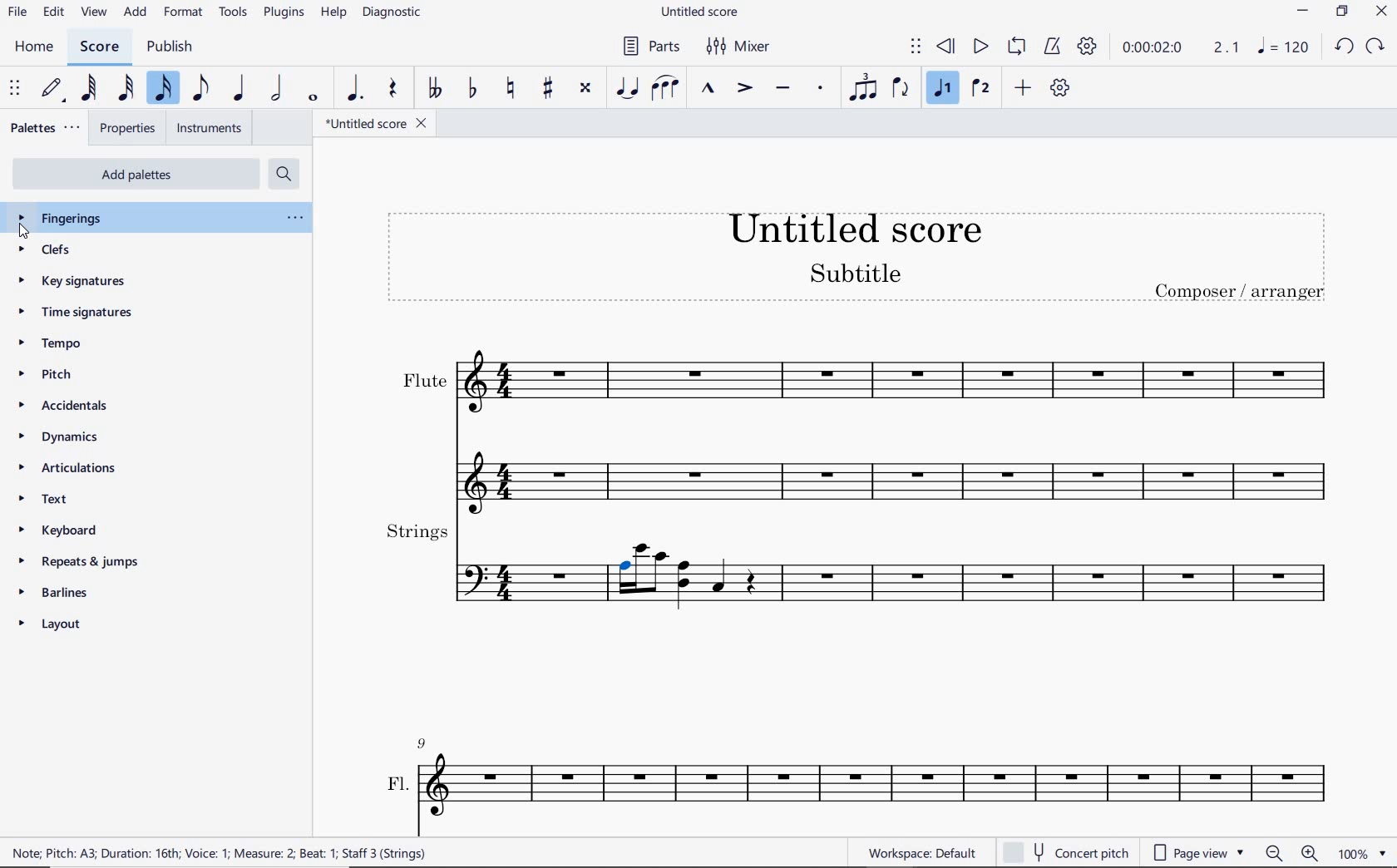 The width and height of the screenshot is (1397, 868). Describe the element at coordinates (710, 91) in the screenshot. I see `marcato` at that location.